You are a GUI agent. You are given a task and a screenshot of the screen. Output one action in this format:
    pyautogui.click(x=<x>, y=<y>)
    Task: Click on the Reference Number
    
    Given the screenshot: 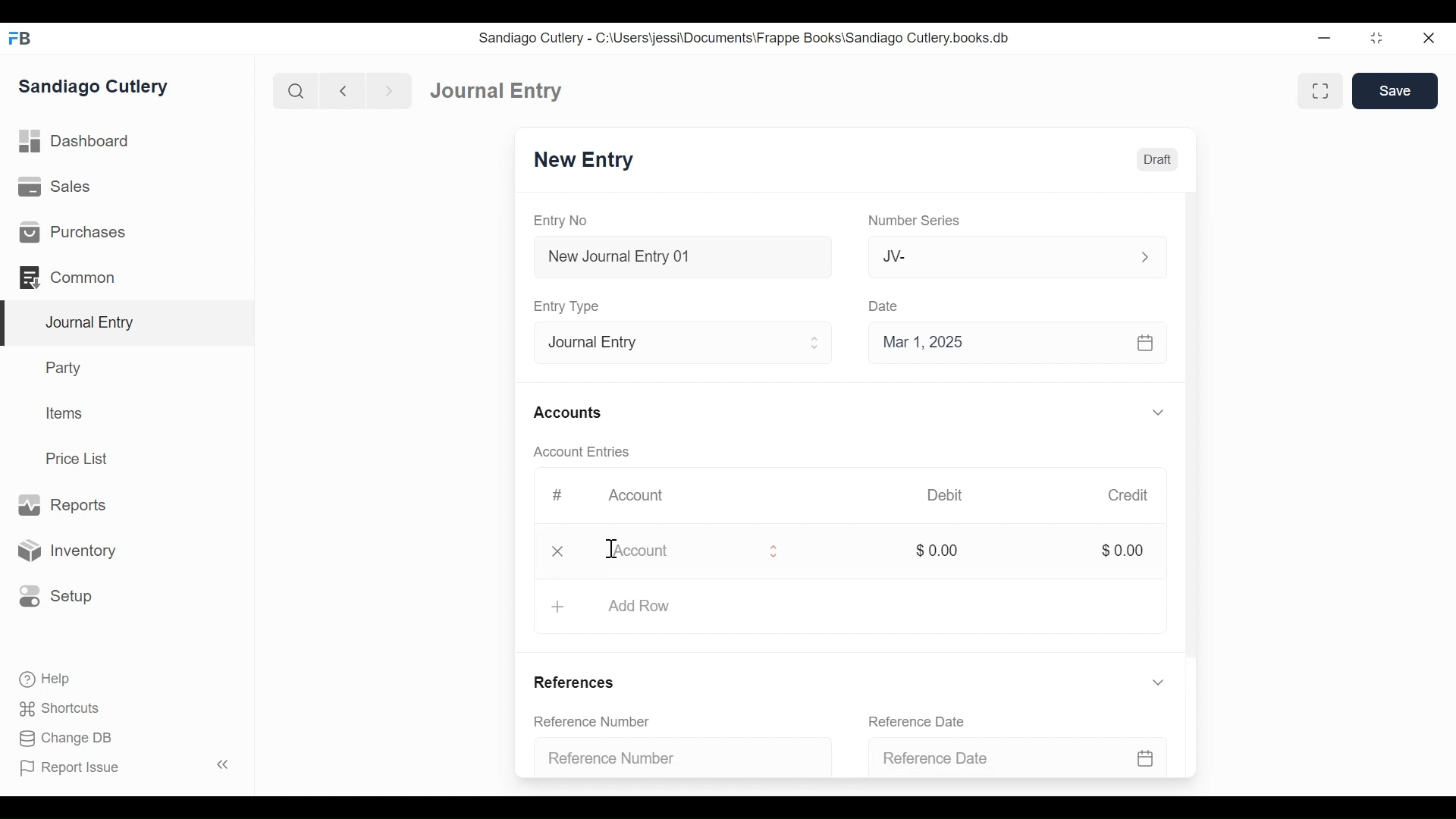 What is the action you would take?
    pyautogui.click(x=595, y=720)
    